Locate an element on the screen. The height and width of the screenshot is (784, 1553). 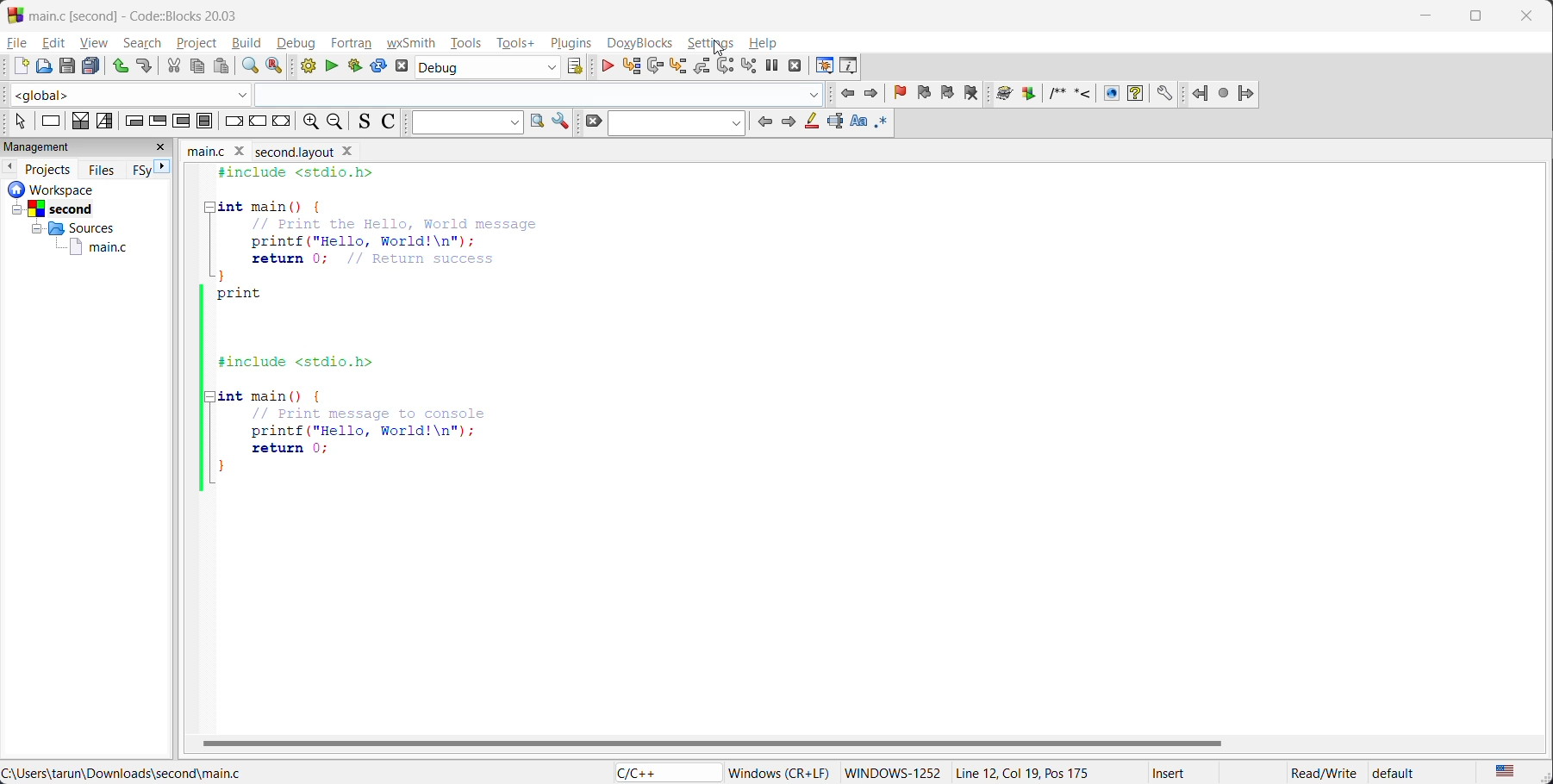
next instruction is located at coordinates (729, 65).